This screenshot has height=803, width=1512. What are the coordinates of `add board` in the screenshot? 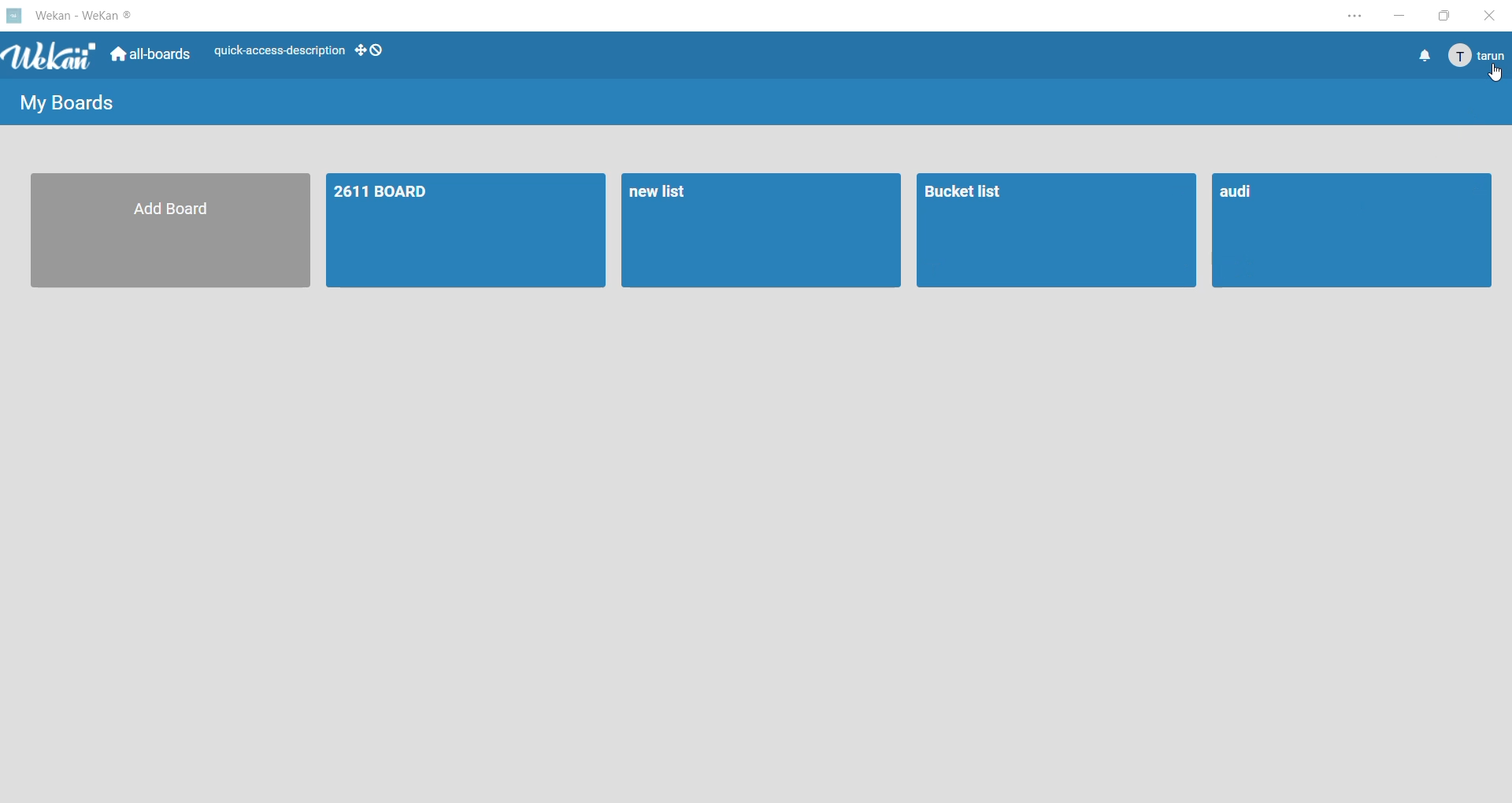 It's located at (169, 231).